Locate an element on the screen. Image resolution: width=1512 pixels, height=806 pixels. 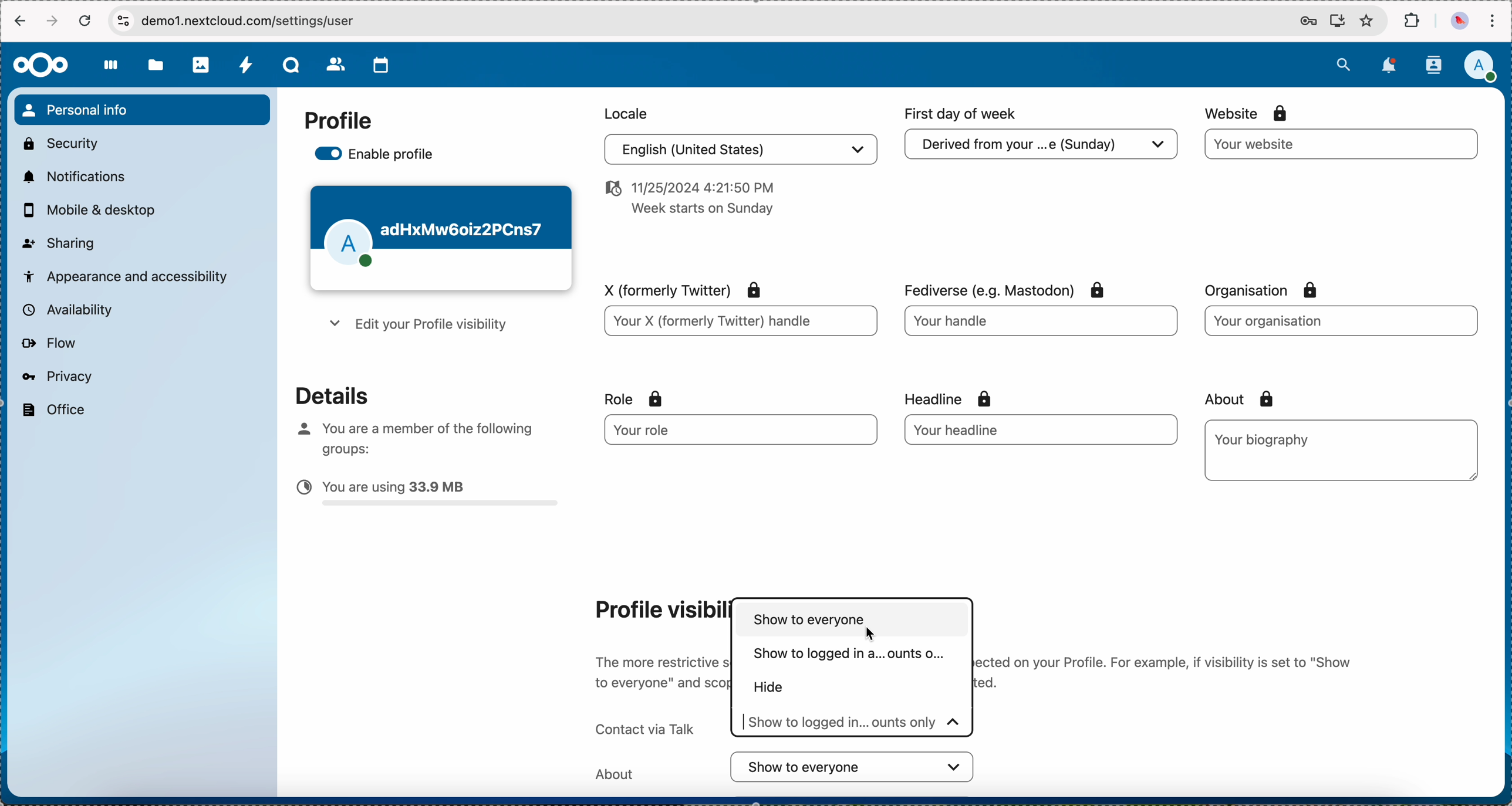
text is located at coordinates (1166, 672).